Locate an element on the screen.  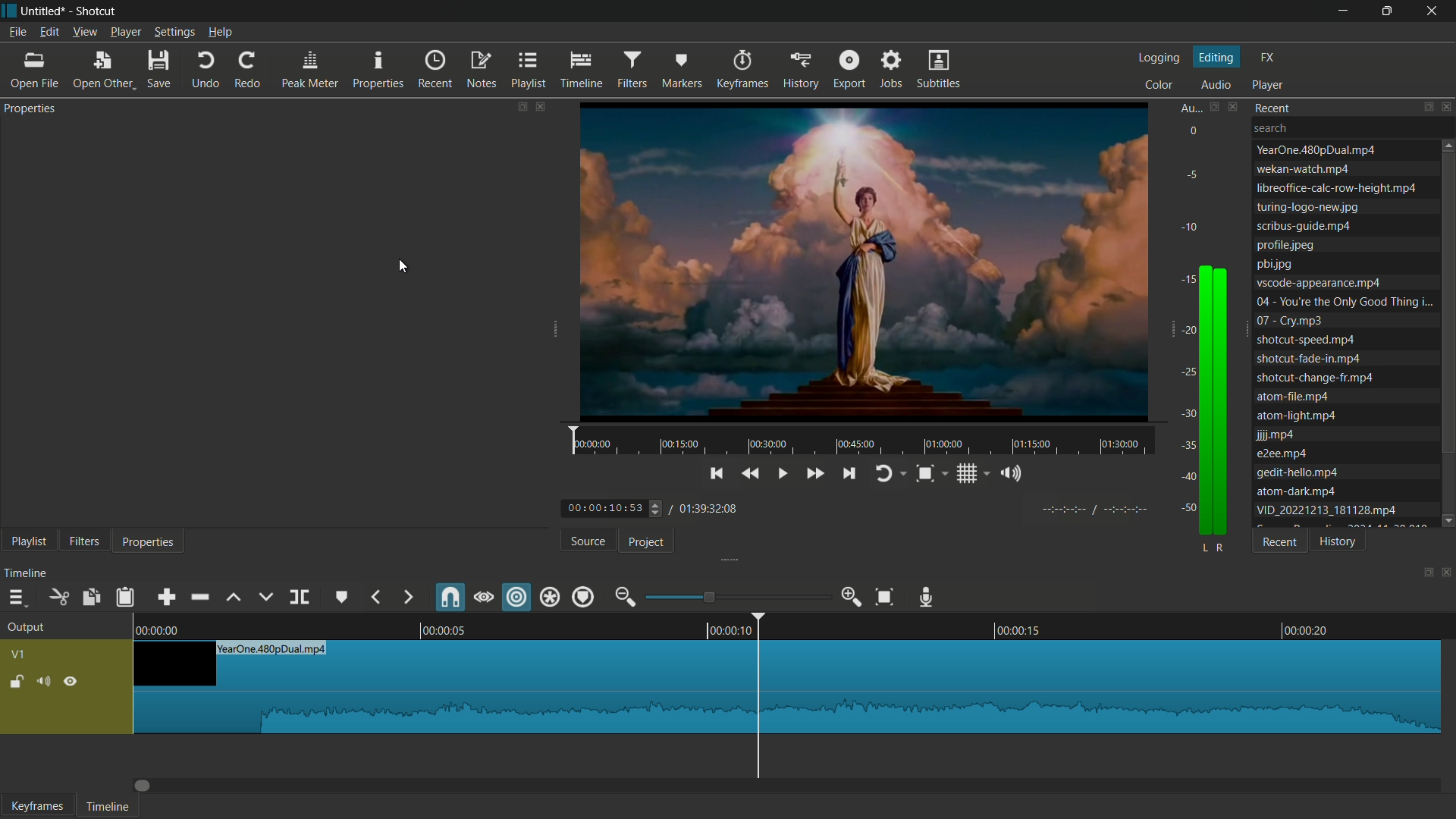
time is located at coordinates (918, 477).